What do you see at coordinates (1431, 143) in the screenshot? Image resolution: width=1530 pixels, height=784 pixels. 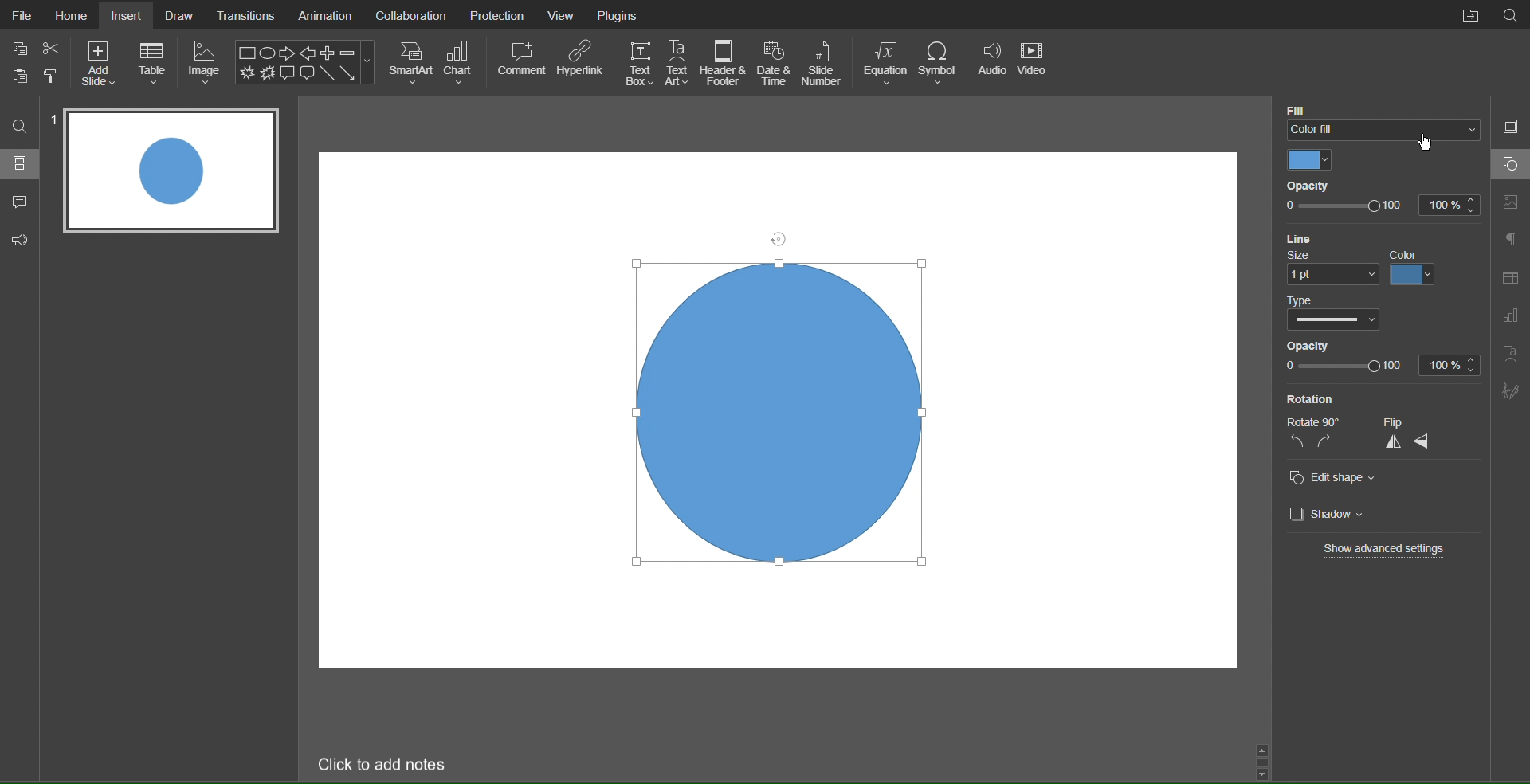 I see `cursor` at bounding box center [1431, 143].